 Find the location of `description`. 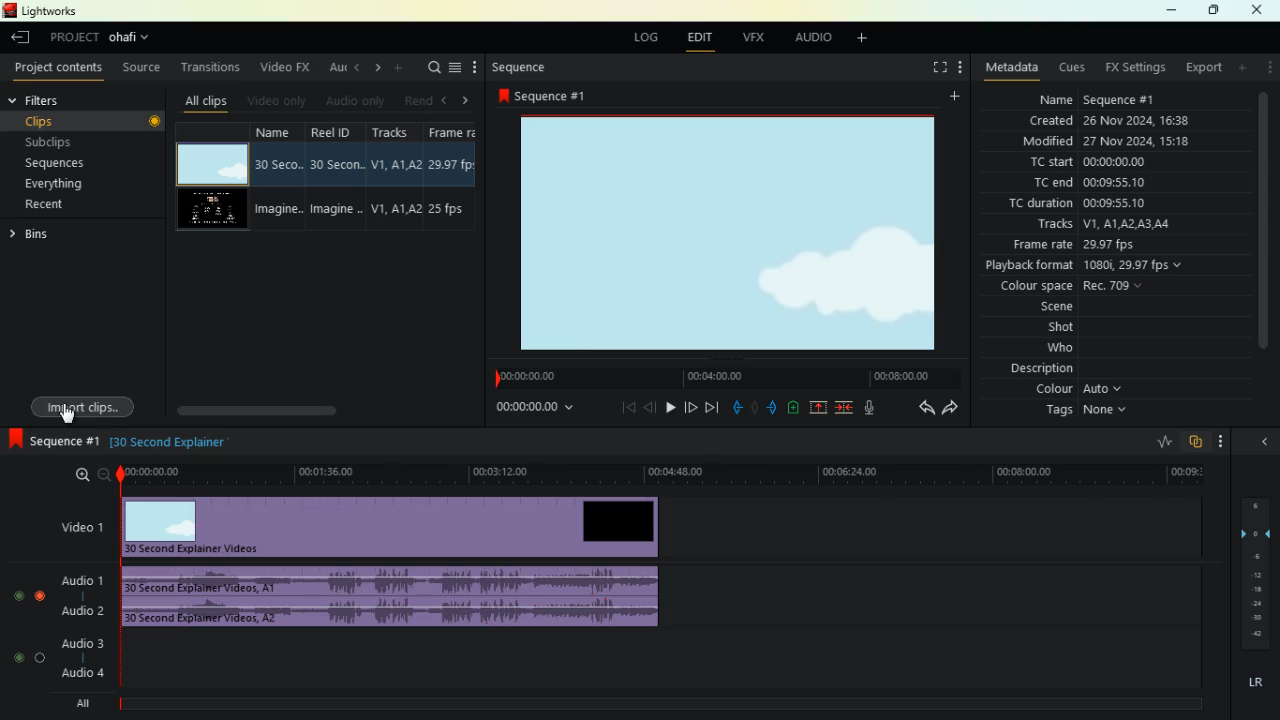

description is located at coordinates (1042, 369).